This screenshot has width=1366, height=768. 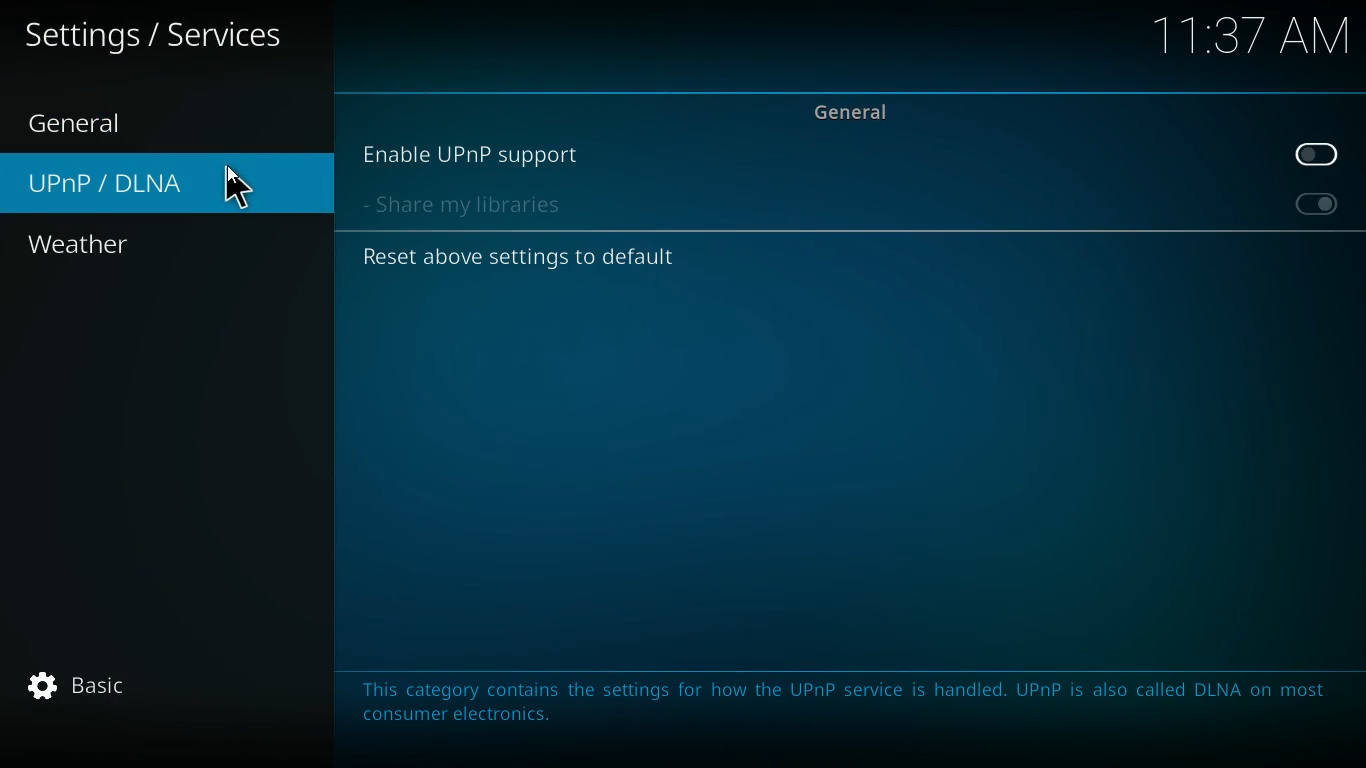 What do you see at coordinates (117, 690) in the screenshot?
I see `basic` at bounding box center [117, 690].